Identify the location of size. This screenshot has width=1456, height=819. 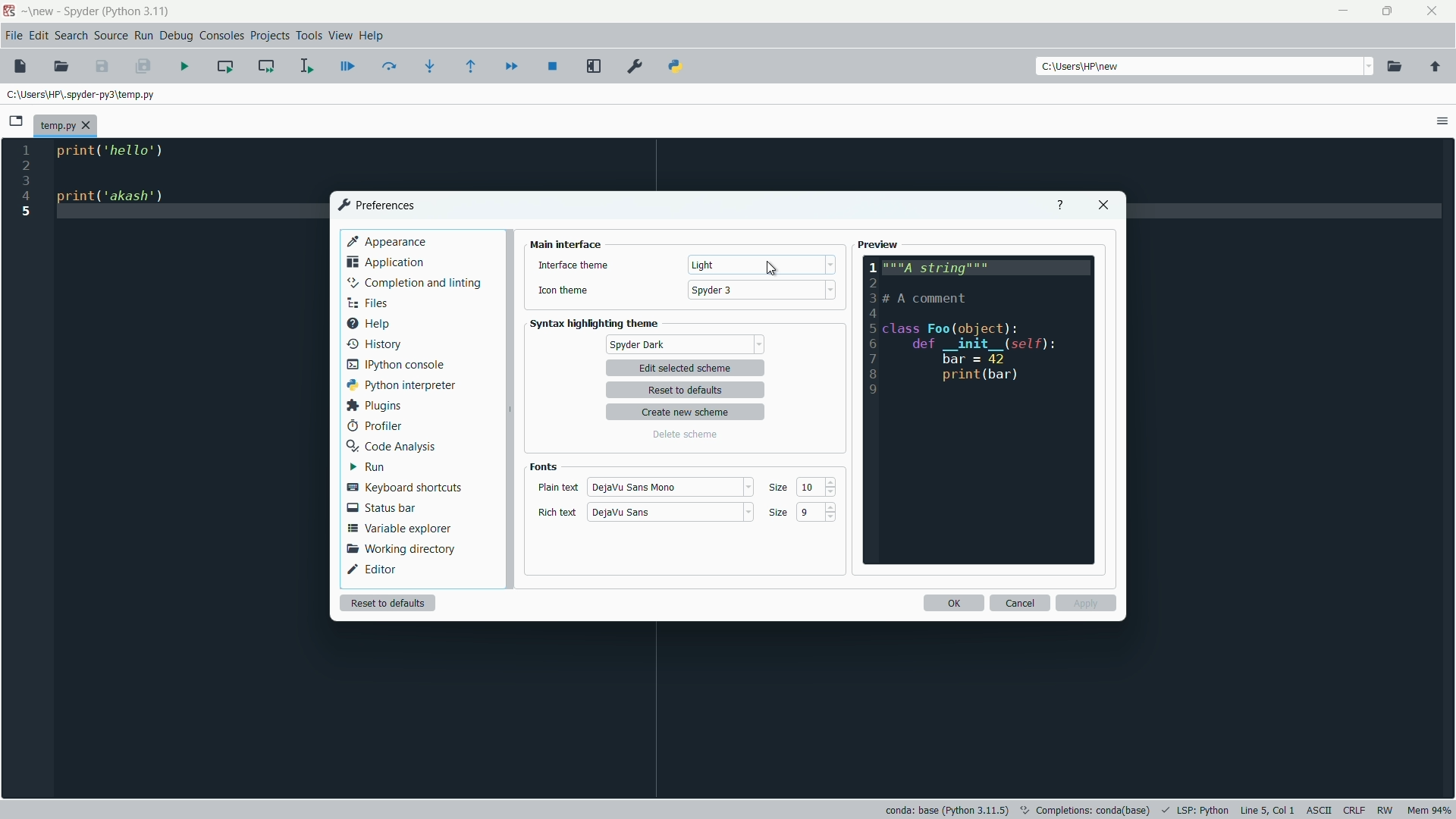
(777, 513).